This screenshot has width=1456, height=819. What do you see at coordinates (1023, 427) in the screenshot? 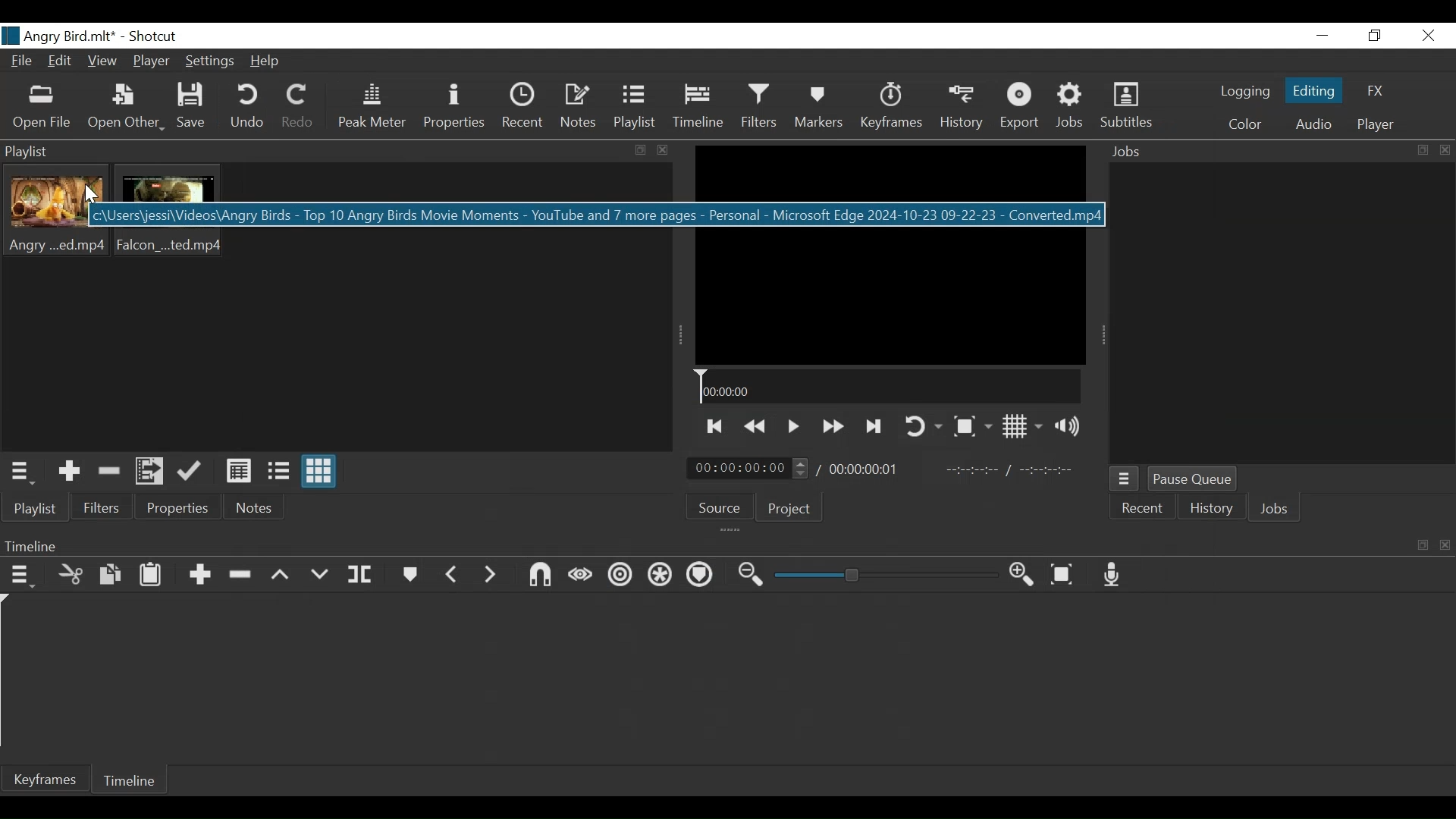
I see `Toggle display grid on player` at bounding box center [1023, 427].